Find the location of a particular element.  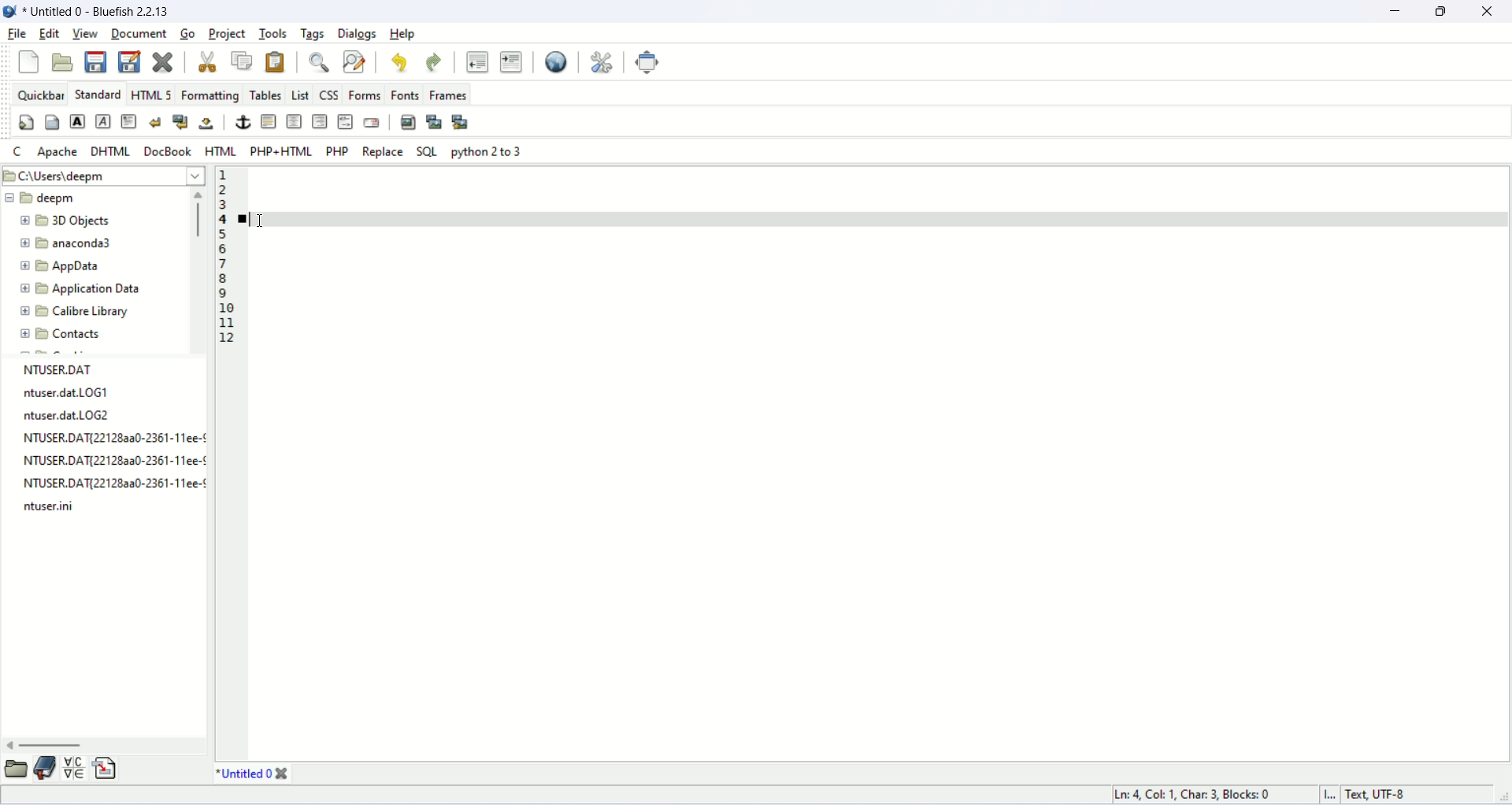

horizontal scroll bar is located at coordinates (104, 748).